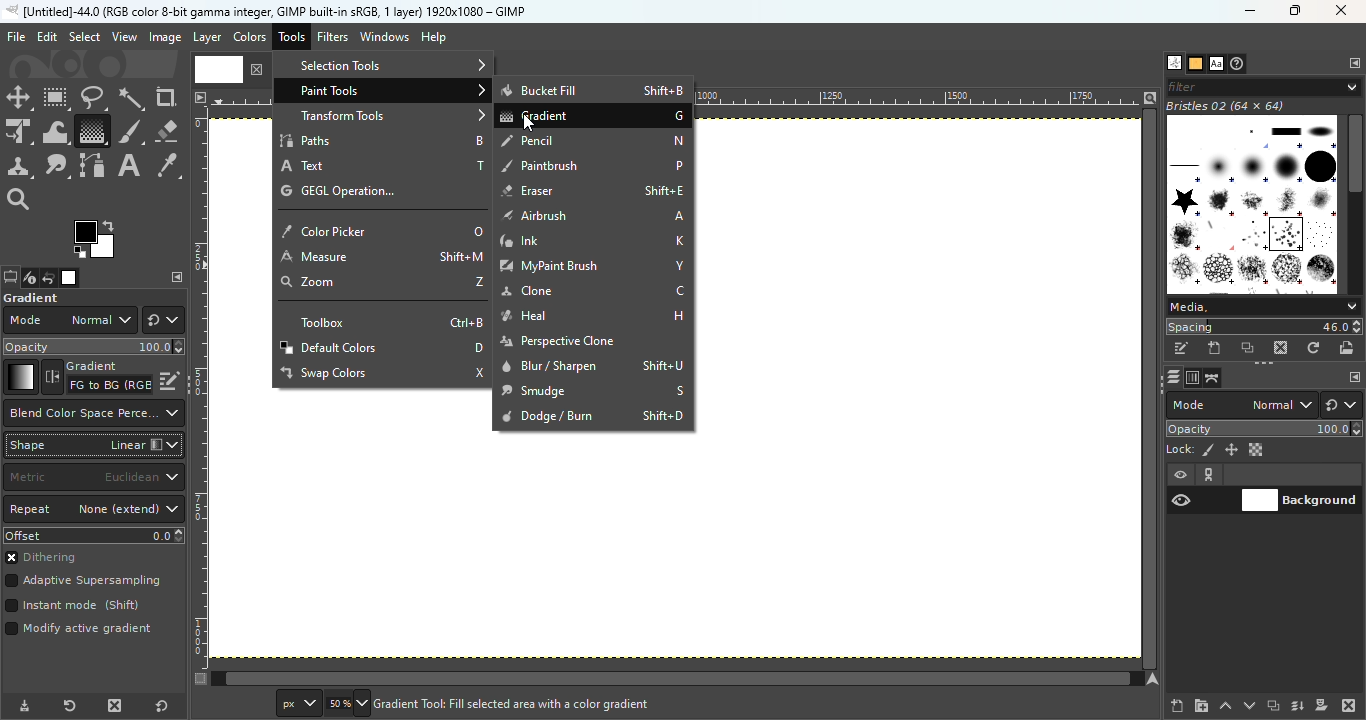  Describe the element at coordinates (19, 167) in the screenshot. I see `Clone tool` at that location.